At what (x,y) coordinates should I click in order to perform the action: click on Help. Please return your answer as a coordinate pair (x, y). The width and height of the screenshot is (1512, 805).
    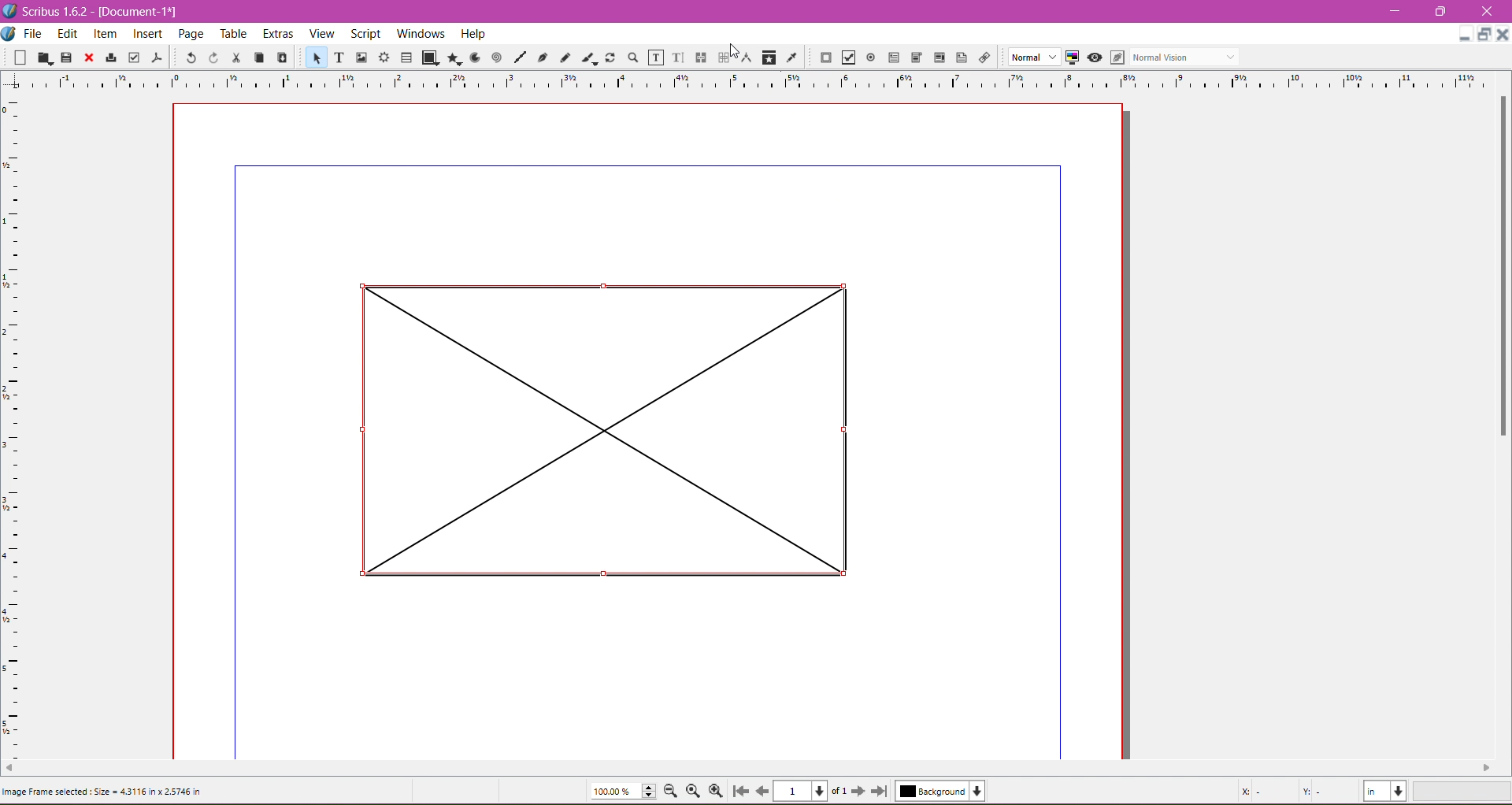
    Looking at the image, I should click on (473, 34).